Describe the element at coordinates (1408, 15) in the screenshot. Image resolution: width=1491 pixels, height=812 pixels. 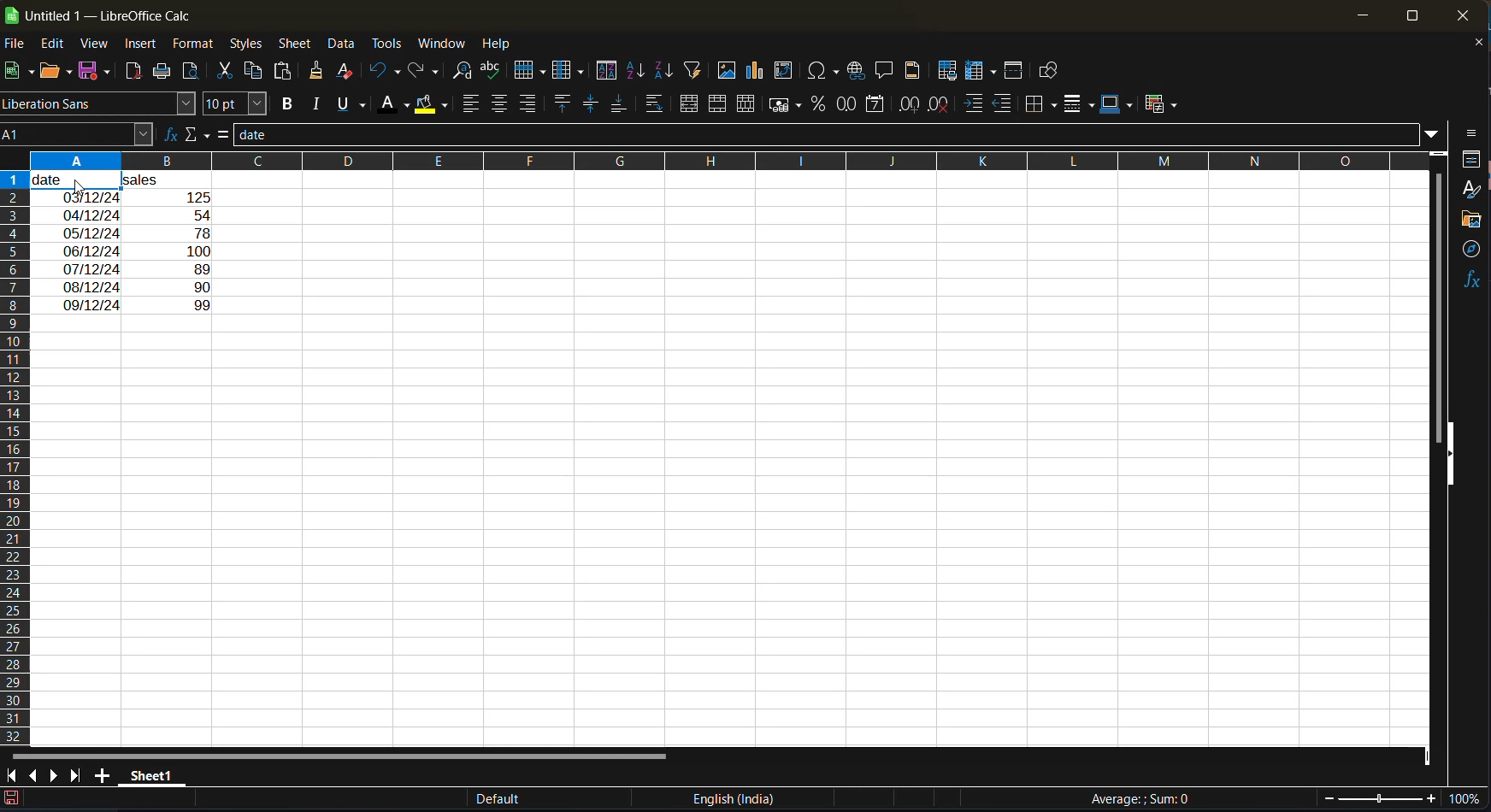
I see `maximize` at that location.